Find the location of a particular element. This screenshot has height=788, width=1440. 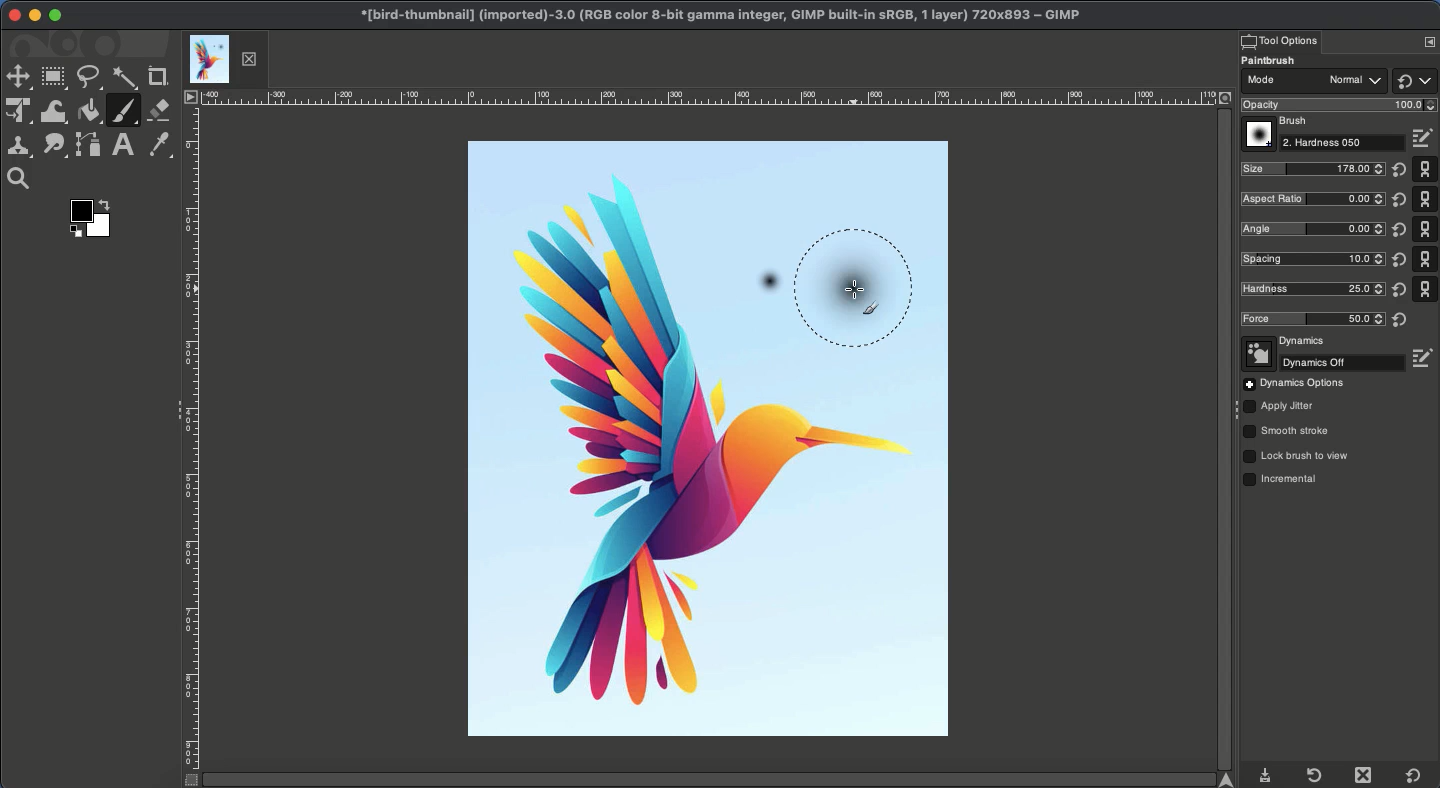

Initial stroke is located at coordinates (759, 286).